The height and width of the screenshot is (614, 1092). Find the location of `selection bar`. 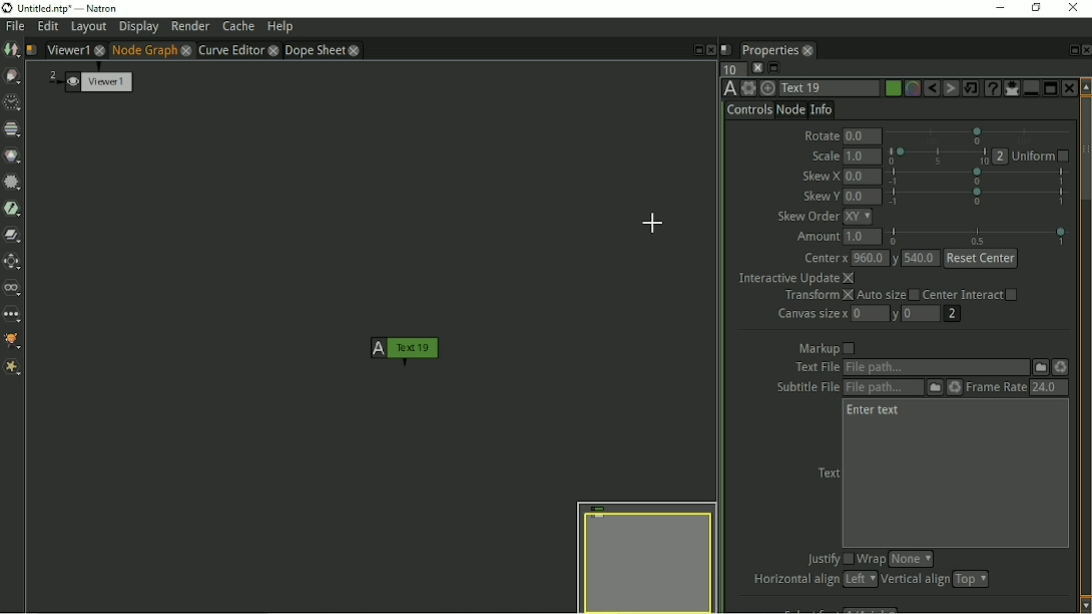

selection bar is located at coordinates (937, 156).